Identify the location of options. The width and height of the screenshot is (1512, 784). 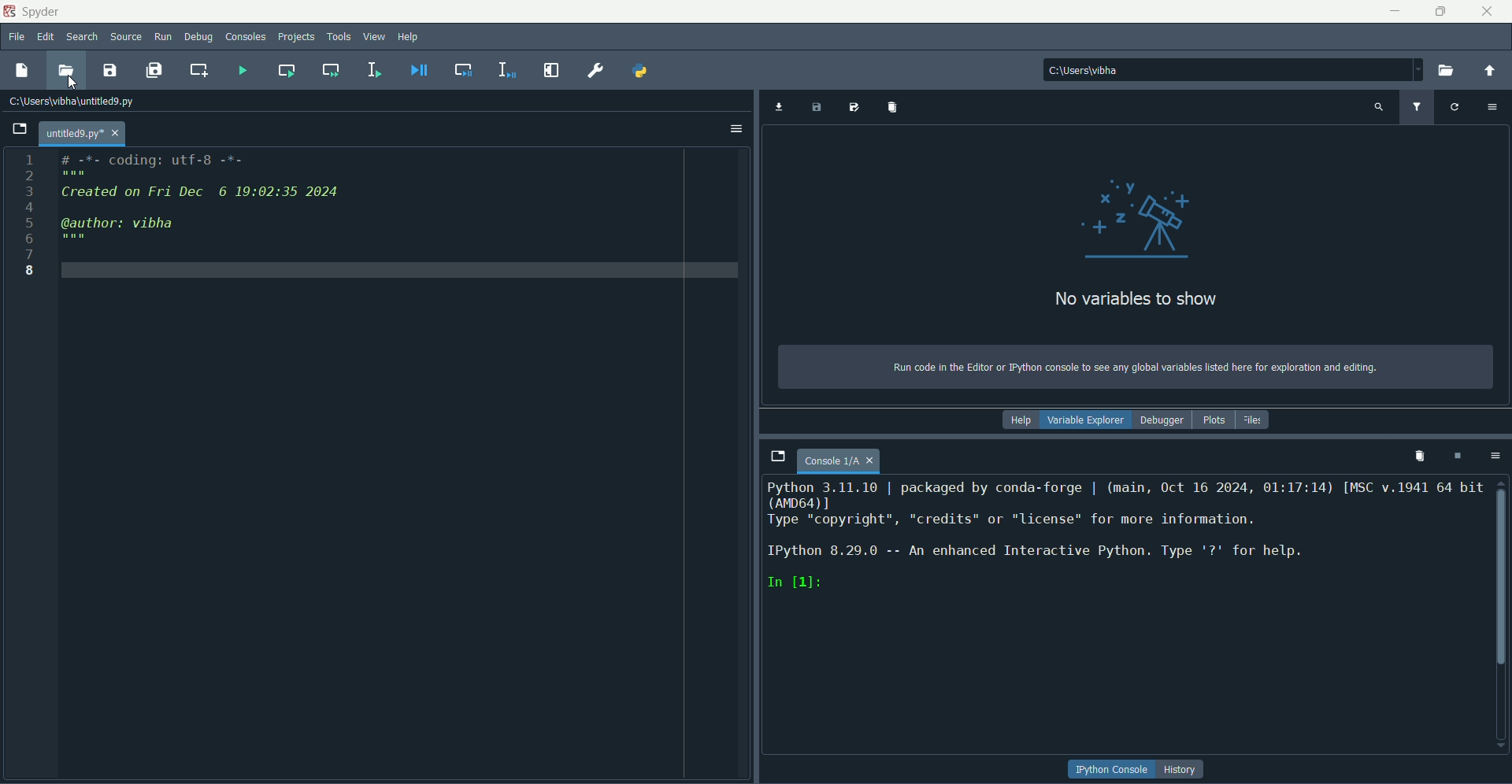
(736, 129).